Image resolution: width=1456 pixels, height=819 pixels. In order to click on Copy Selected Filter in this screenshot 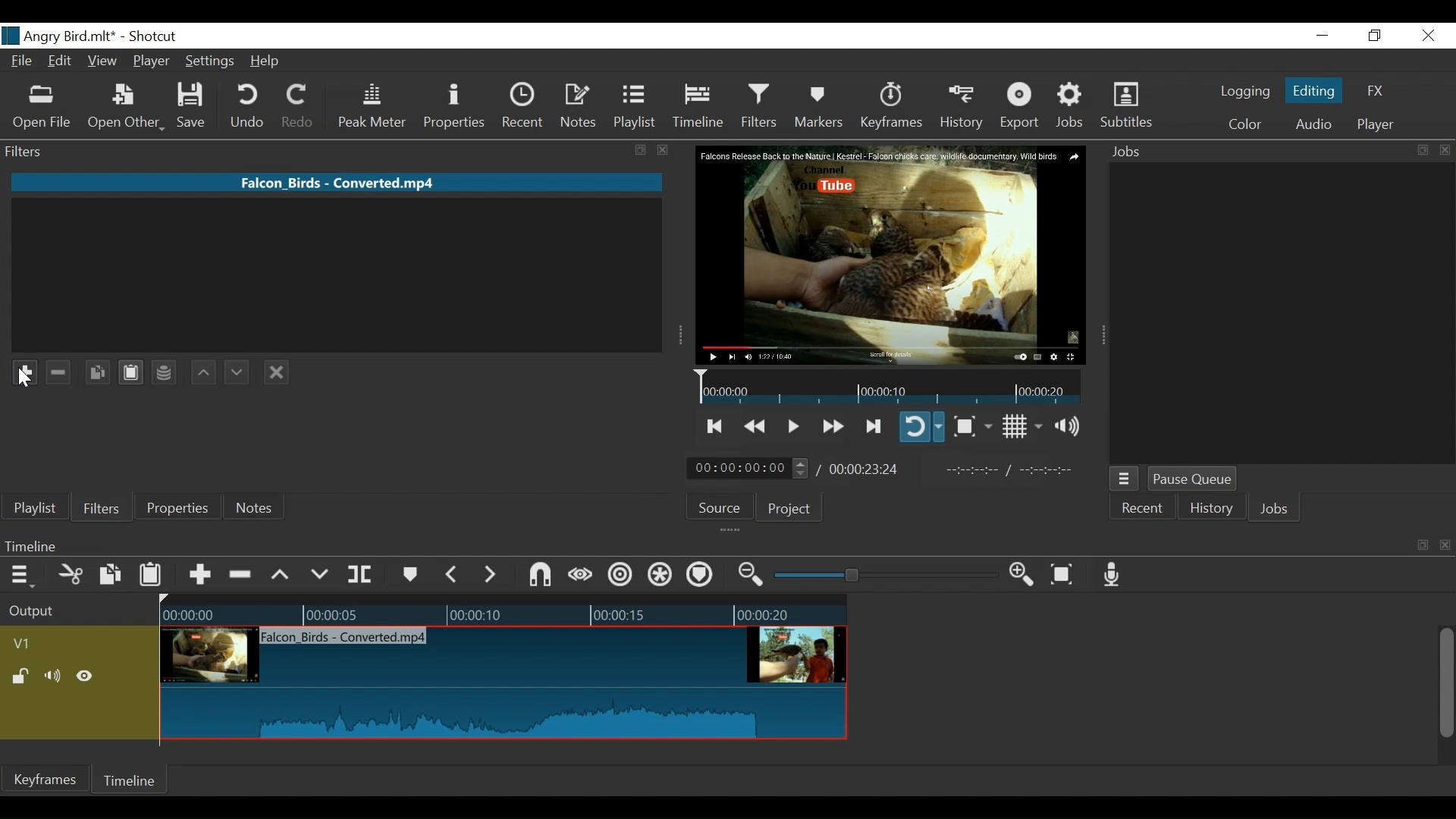, I will do `click(99, 372)`.